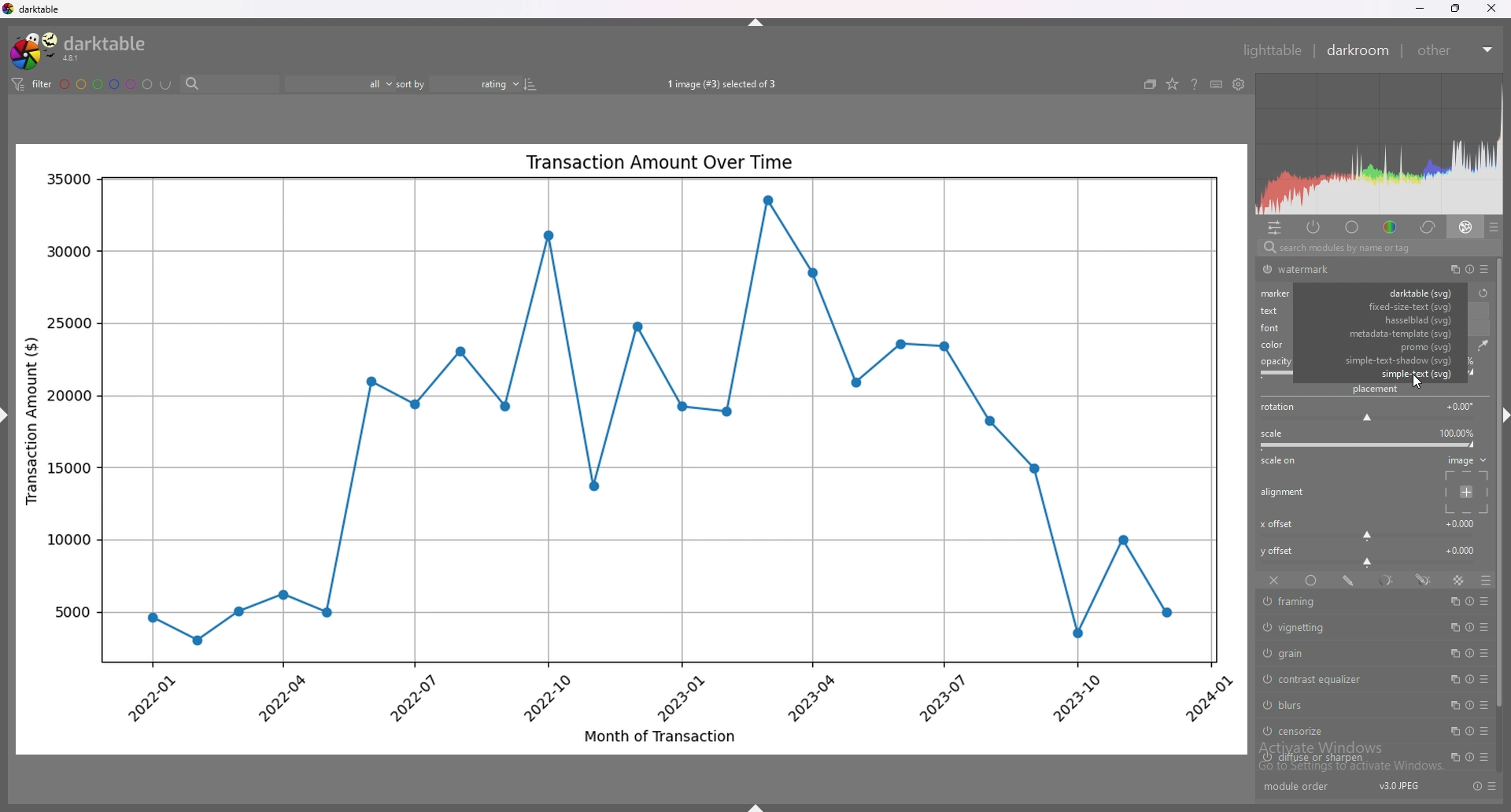  What do you see at coordinates (1397, 787) in the screenshot?
I see `version` at bounding box center [1397, 787].